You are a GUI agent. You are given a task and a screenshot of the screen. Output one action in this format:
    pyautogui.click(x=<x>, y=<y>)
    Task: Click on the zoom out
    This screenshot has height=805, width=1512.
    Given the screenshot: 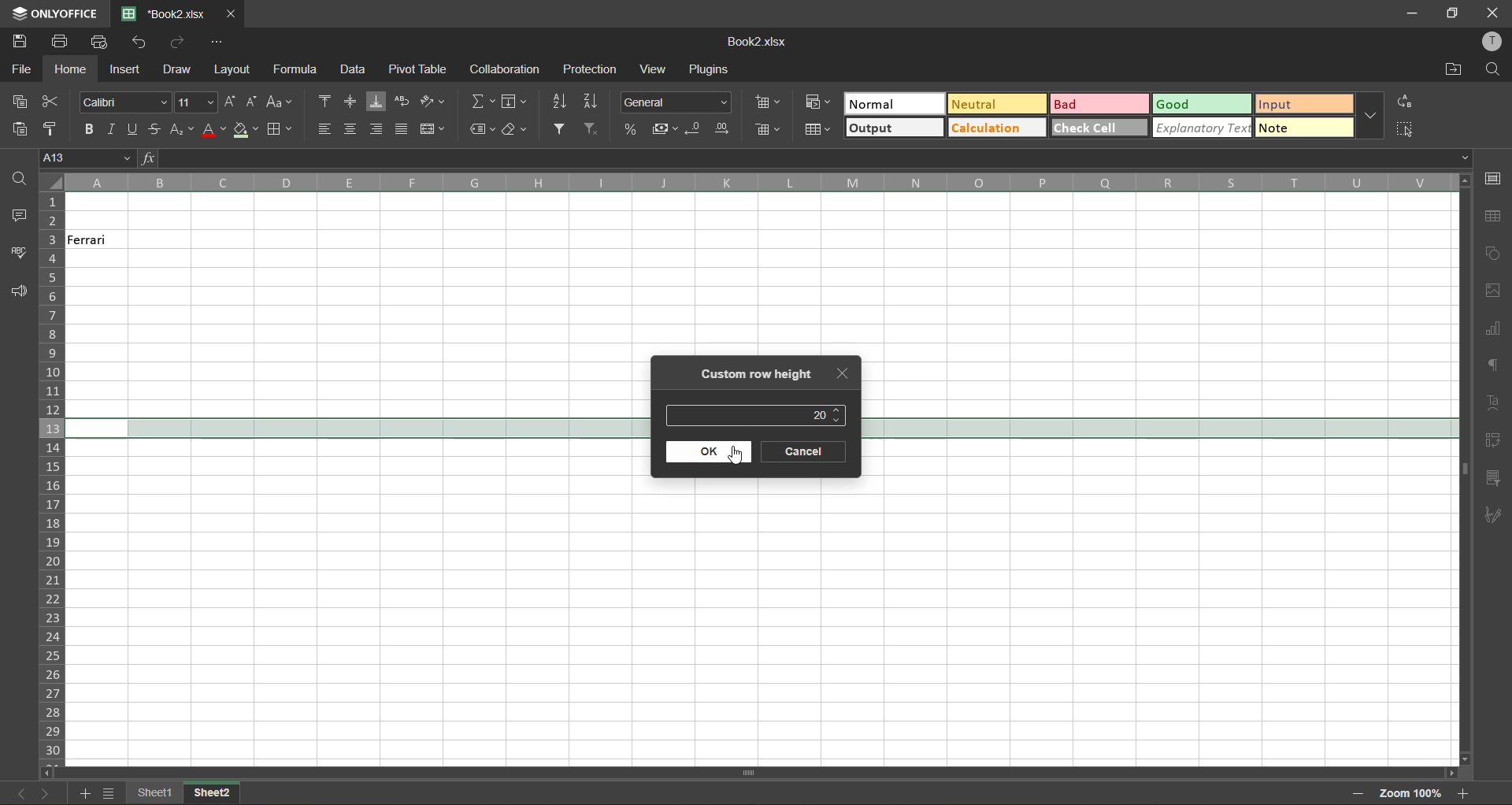 What is the action you would take?
    pyautogui.click(x=1352, y=792)
    